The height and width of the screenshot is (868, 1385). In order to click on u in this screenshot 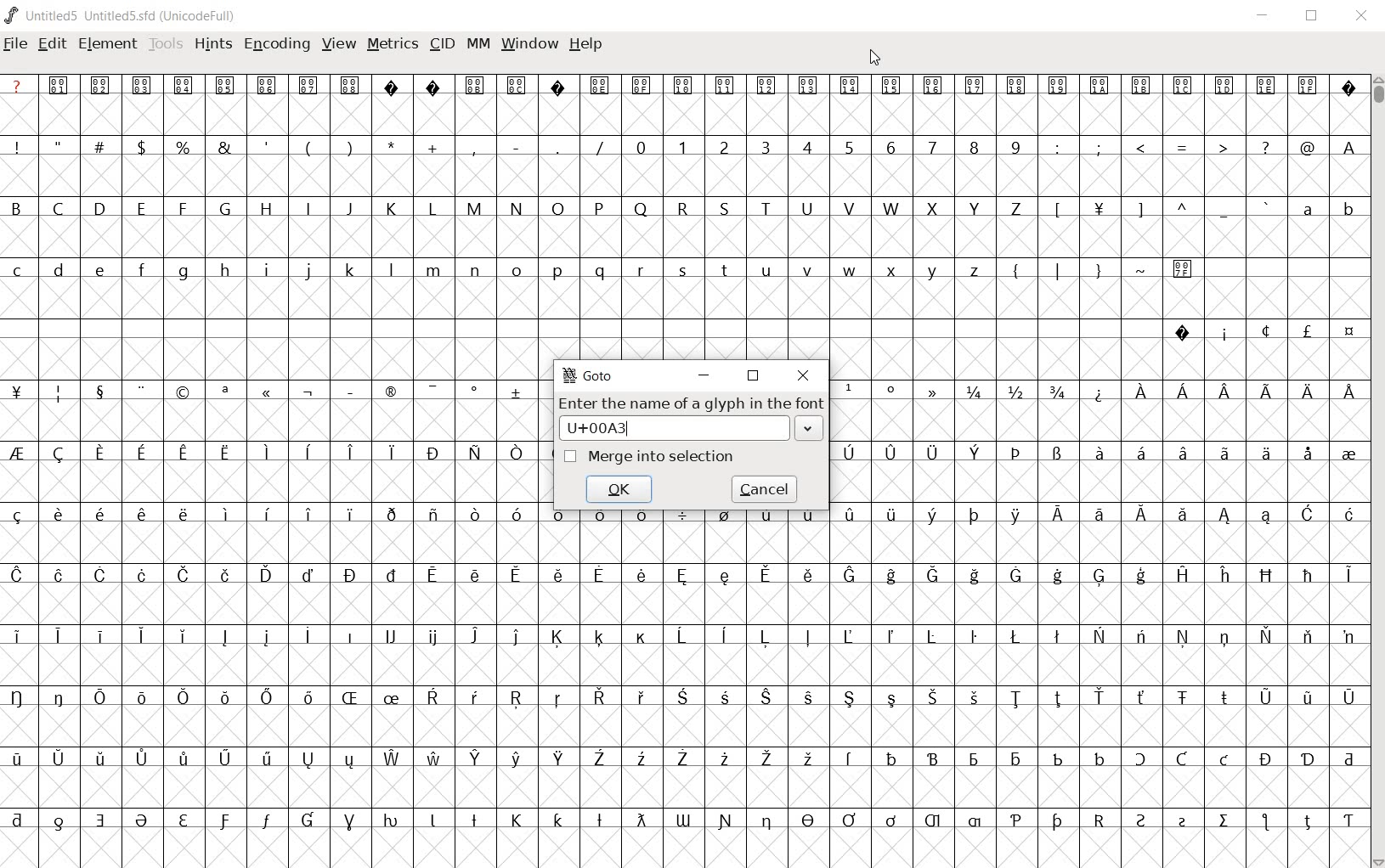, I will do `click(766, 270)`.